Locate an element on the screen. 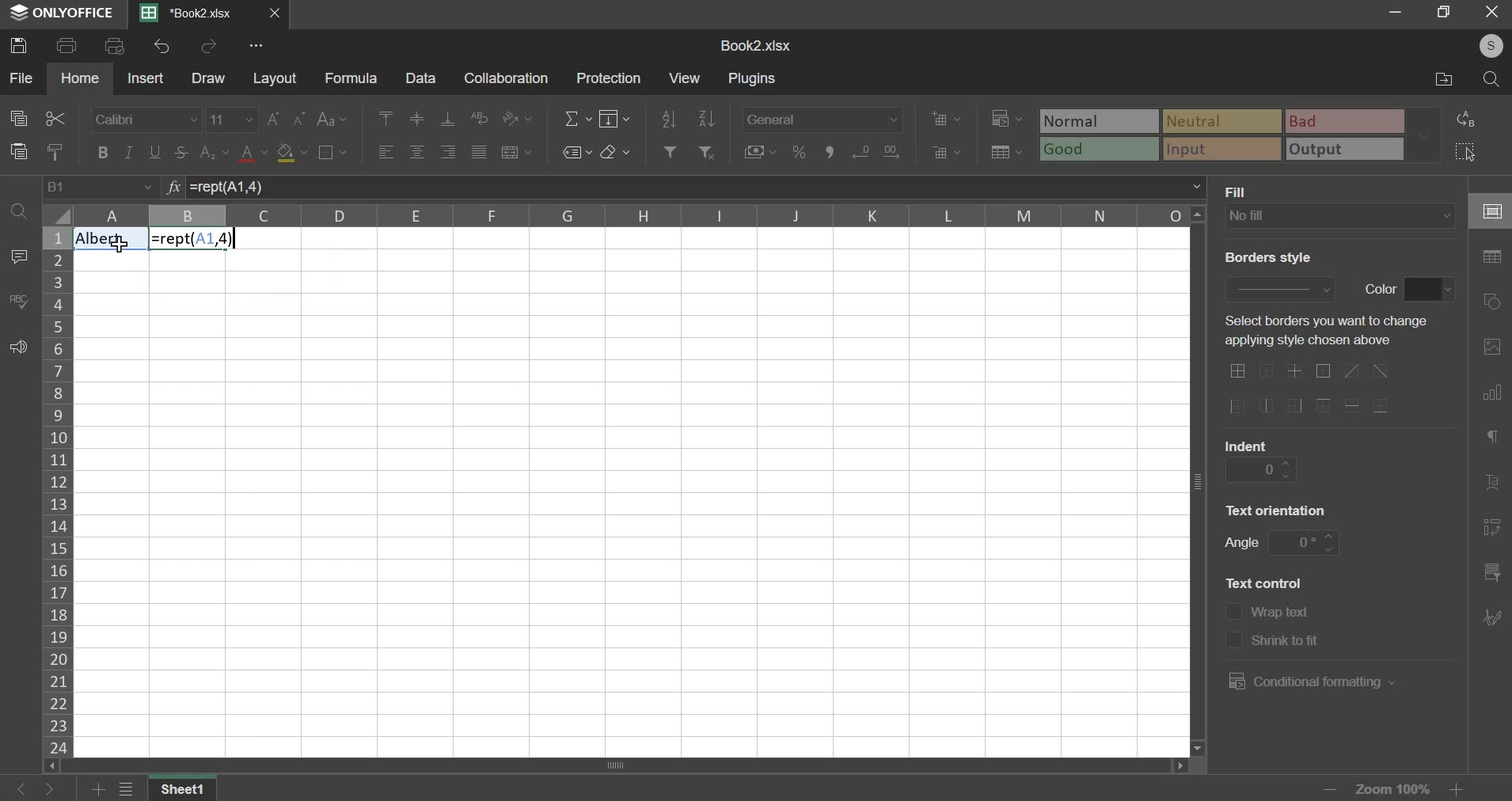 Image resolution: width=1512 pixels, height=801 pixels. angle is located at coordinates (1305, 544).